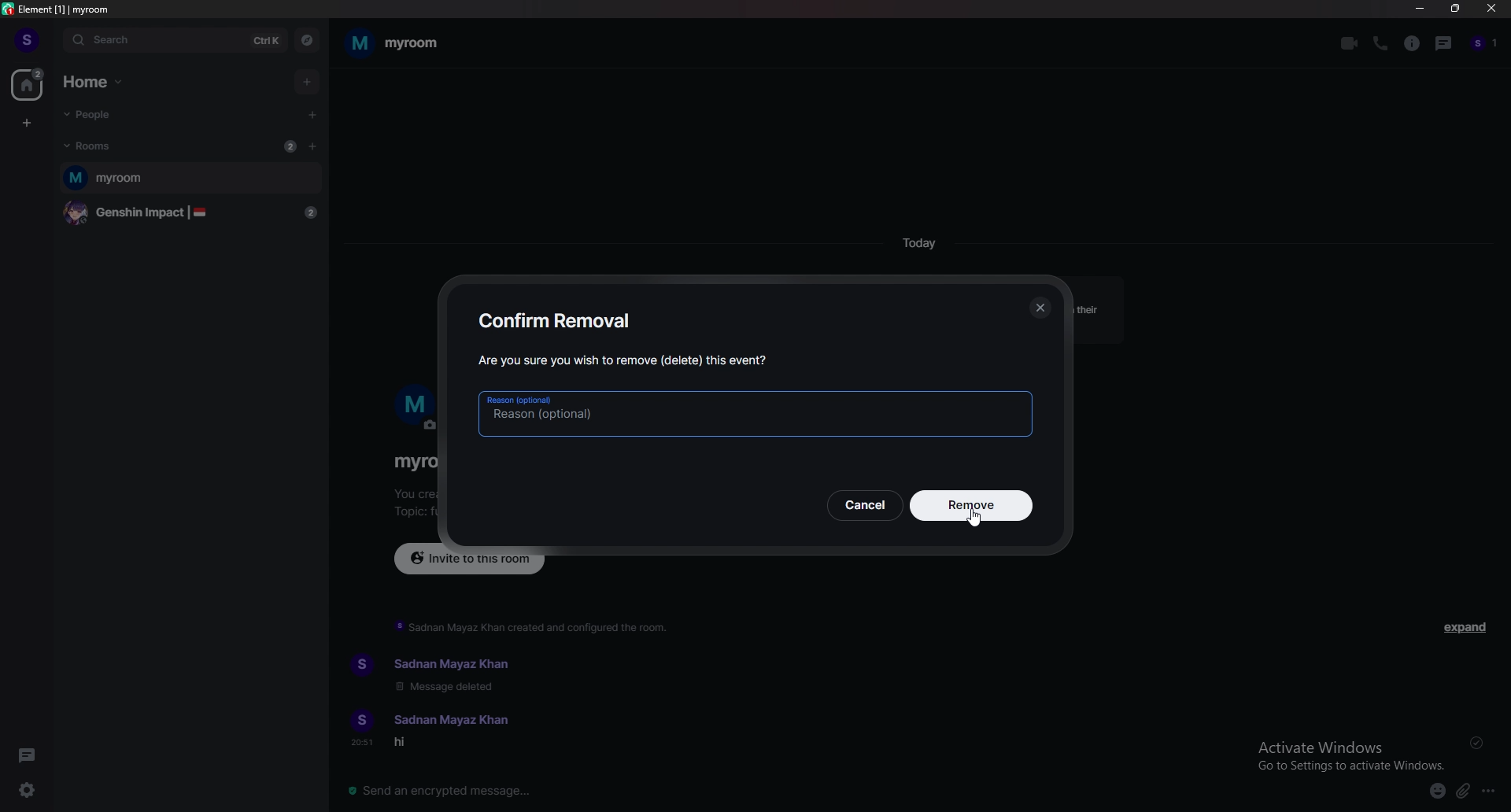  I want to click on info, so click(1413, 44).